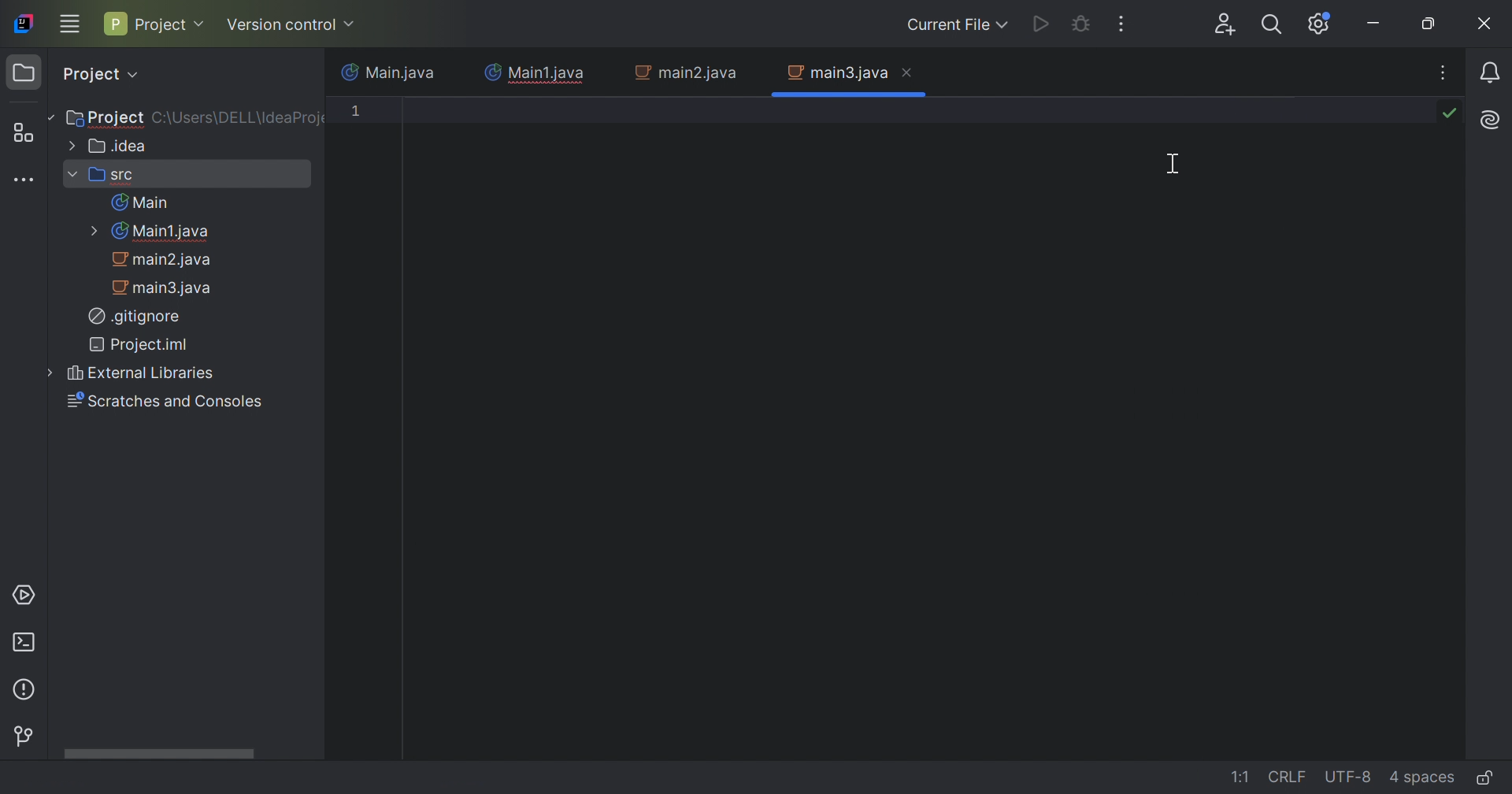 The width and height of the screenshot is (1512, 794). What do you see at coordinates (107, 145) in the screenshot?
I see `.idea` at bounding box center [107, 145].